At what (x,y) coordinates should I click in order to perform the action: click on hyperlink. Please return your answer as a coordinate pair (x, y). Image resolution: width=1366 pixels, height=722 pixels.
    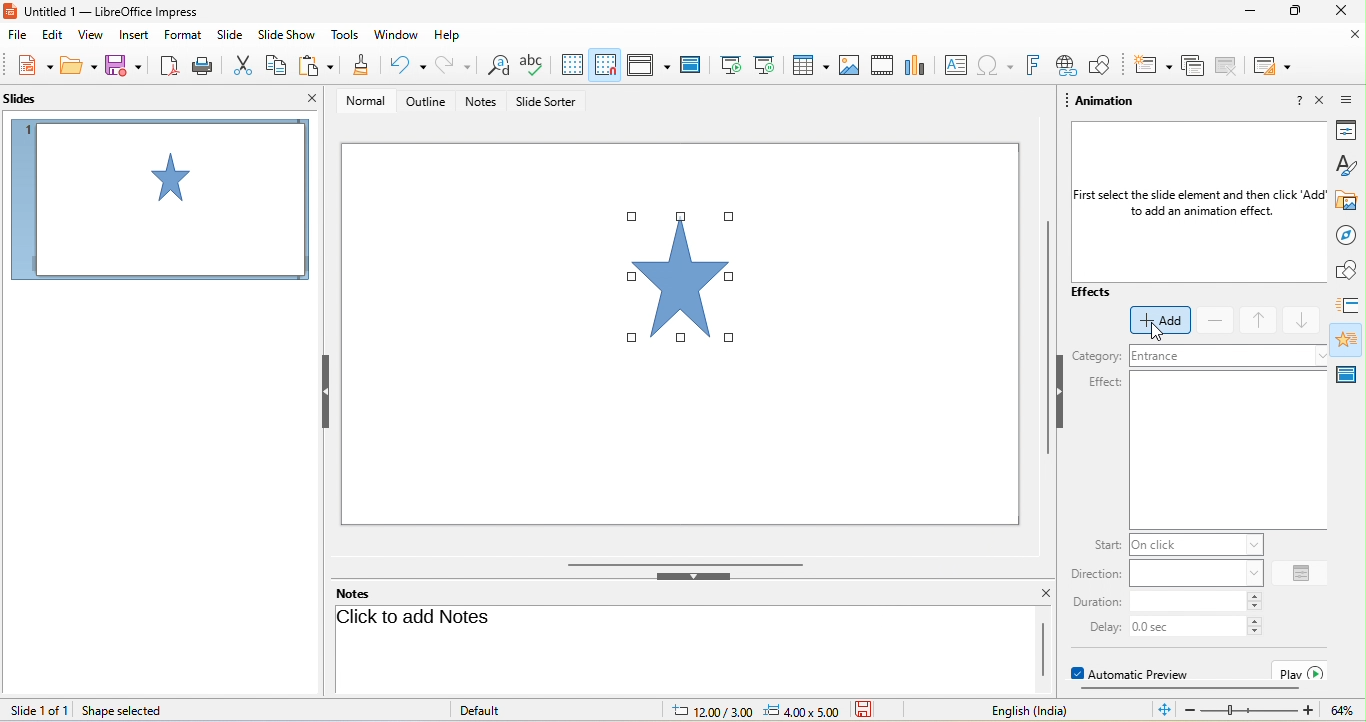
    Looking at the image, I should click on (1066, 65).